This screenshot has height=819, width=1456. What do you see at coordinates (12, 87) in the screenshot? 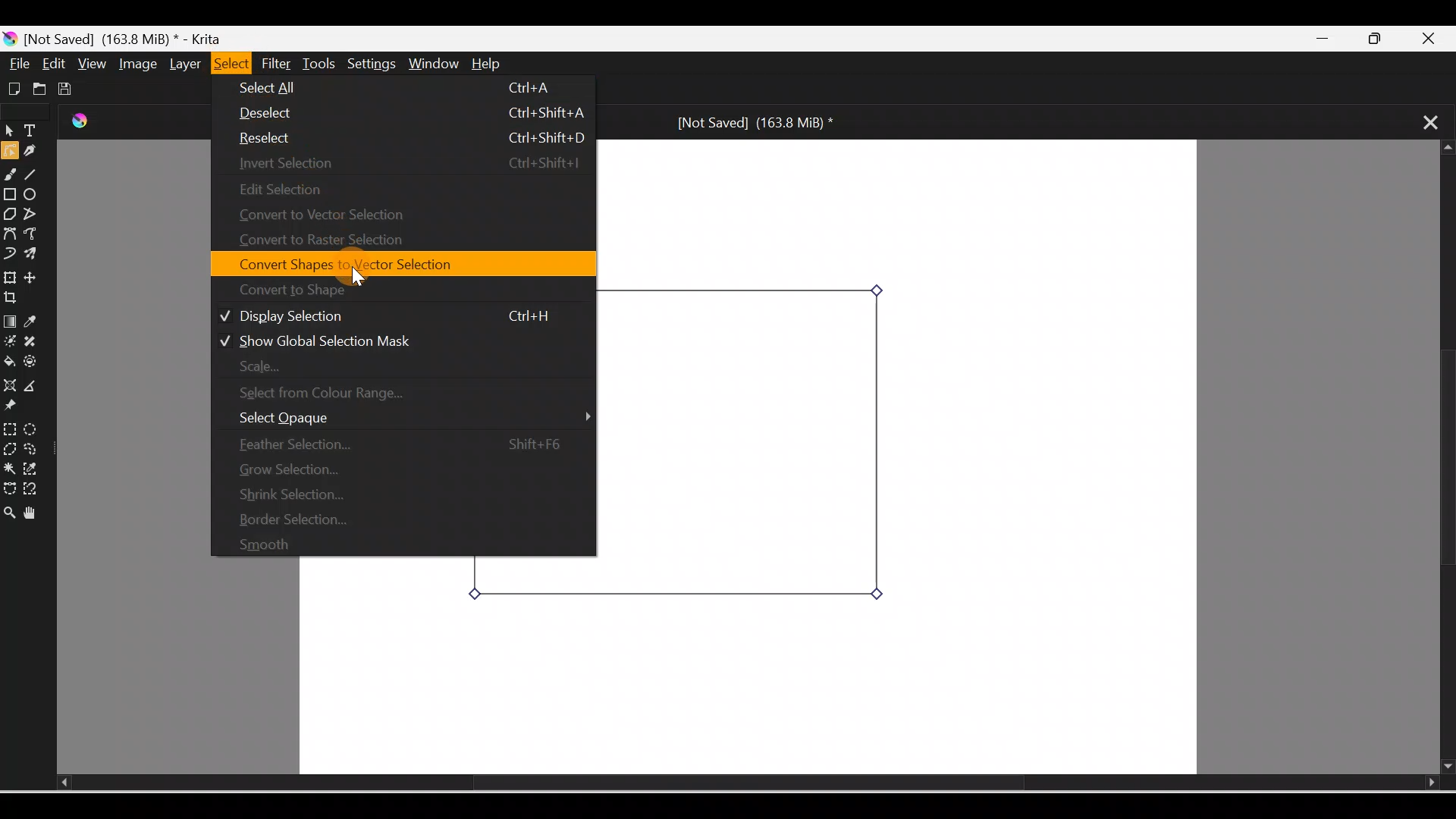
I see `Create new document` at bounding box center [12, 87].